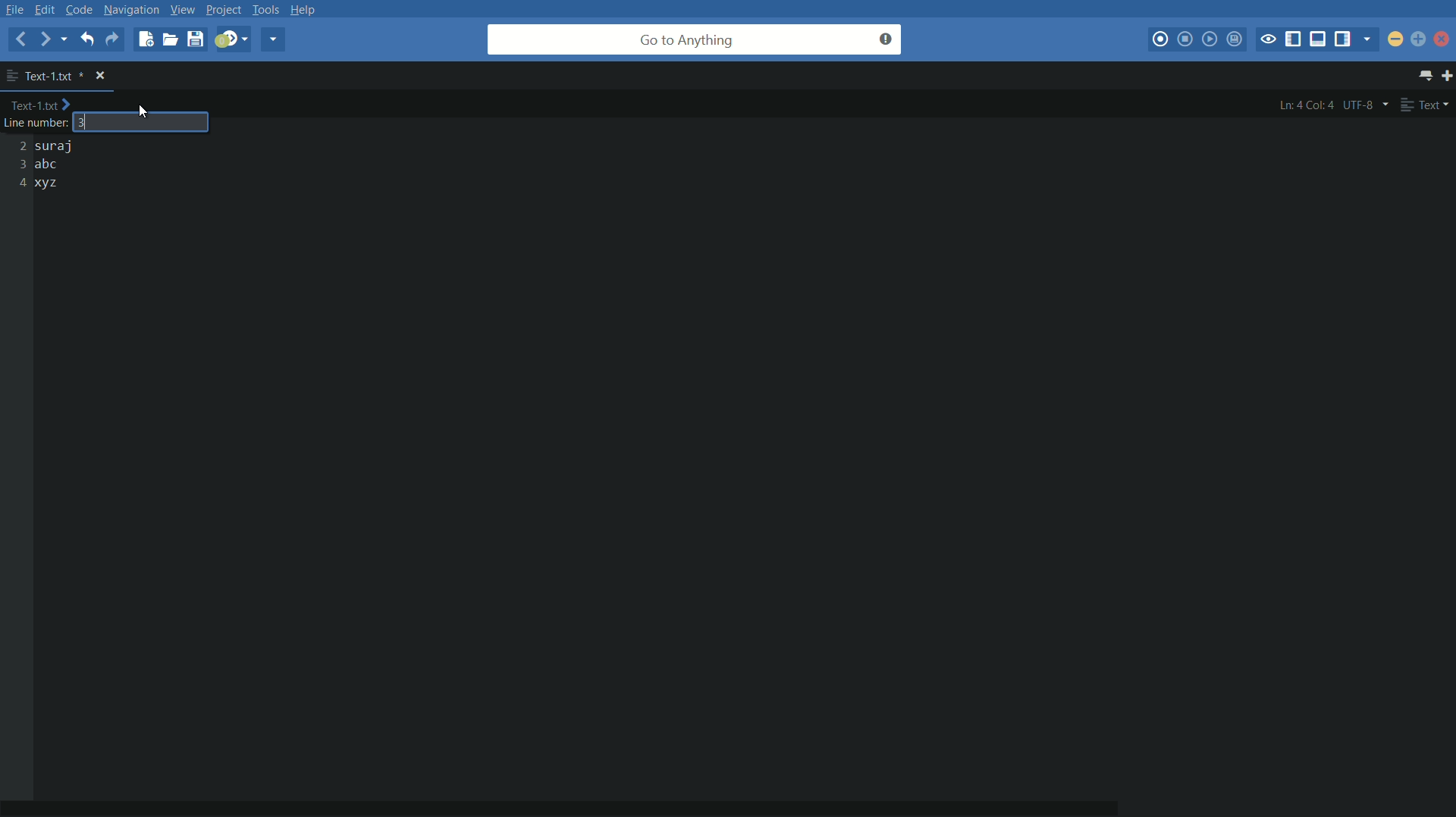 The width and height of the screenshot is (1456, 817). I want to click on horizontal scroll bar, so click(591, 798).